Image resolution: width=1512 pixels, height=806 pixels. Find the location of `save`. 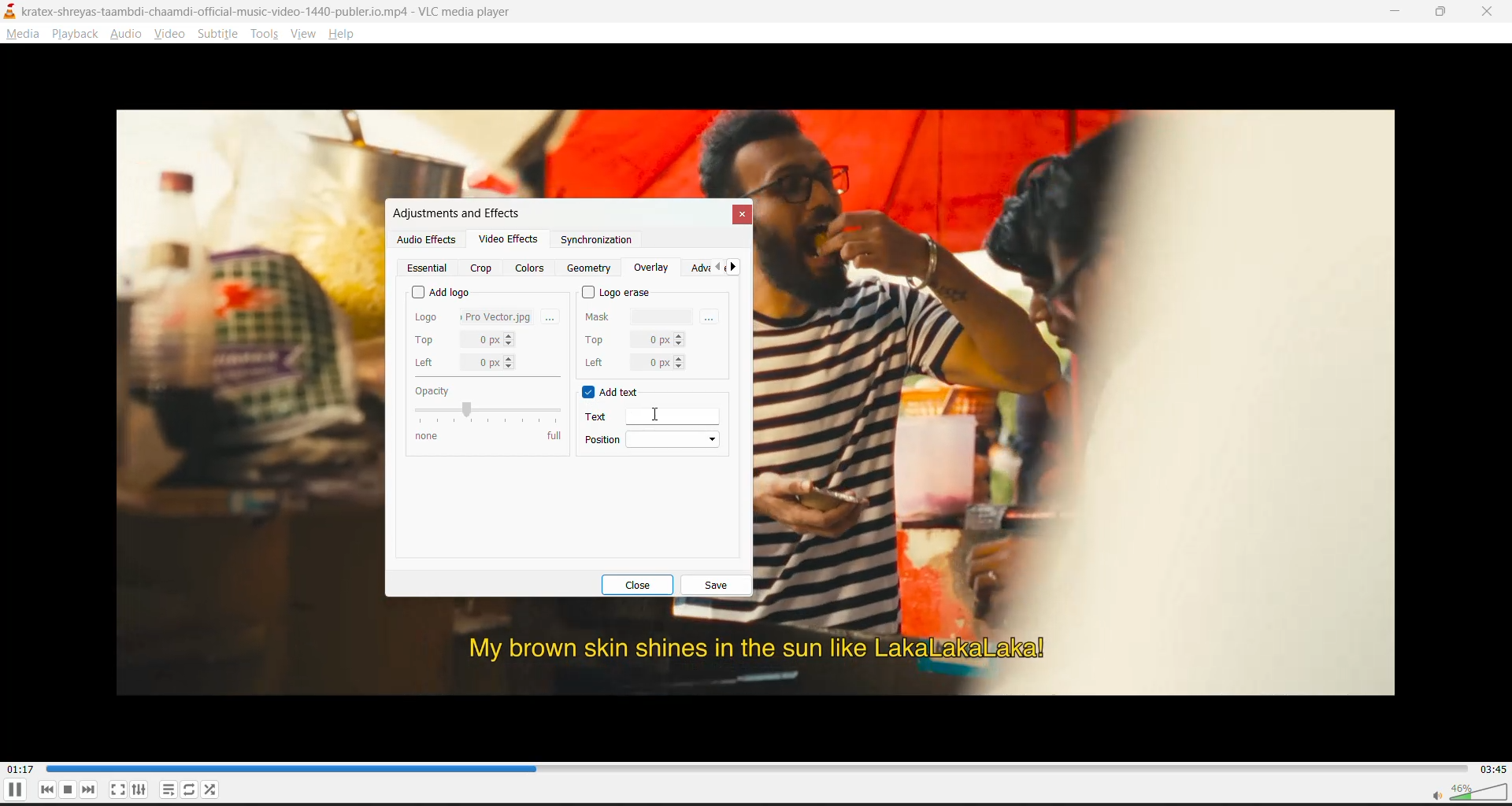

save is located at coordinates (716, 586).